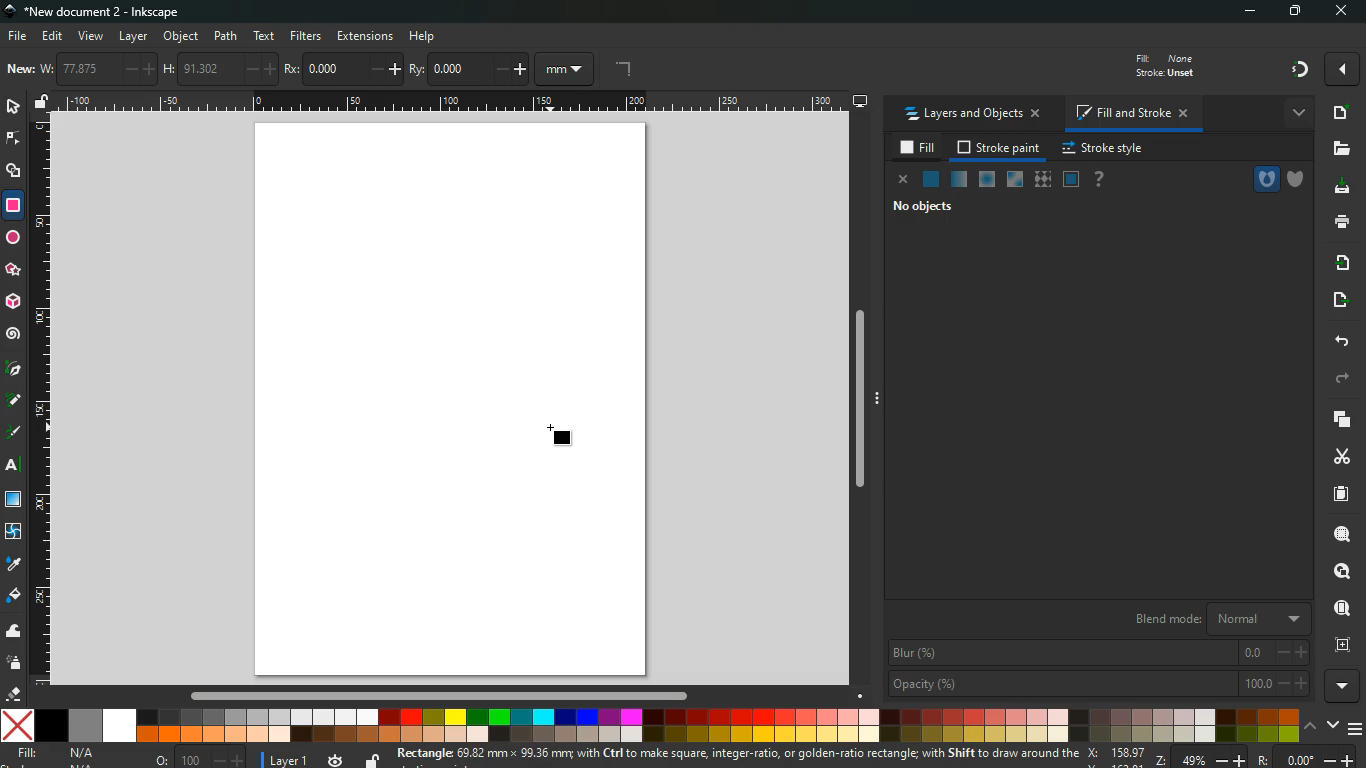 The image size is (1366, 768). I want to click on draw, so click(14, 433).